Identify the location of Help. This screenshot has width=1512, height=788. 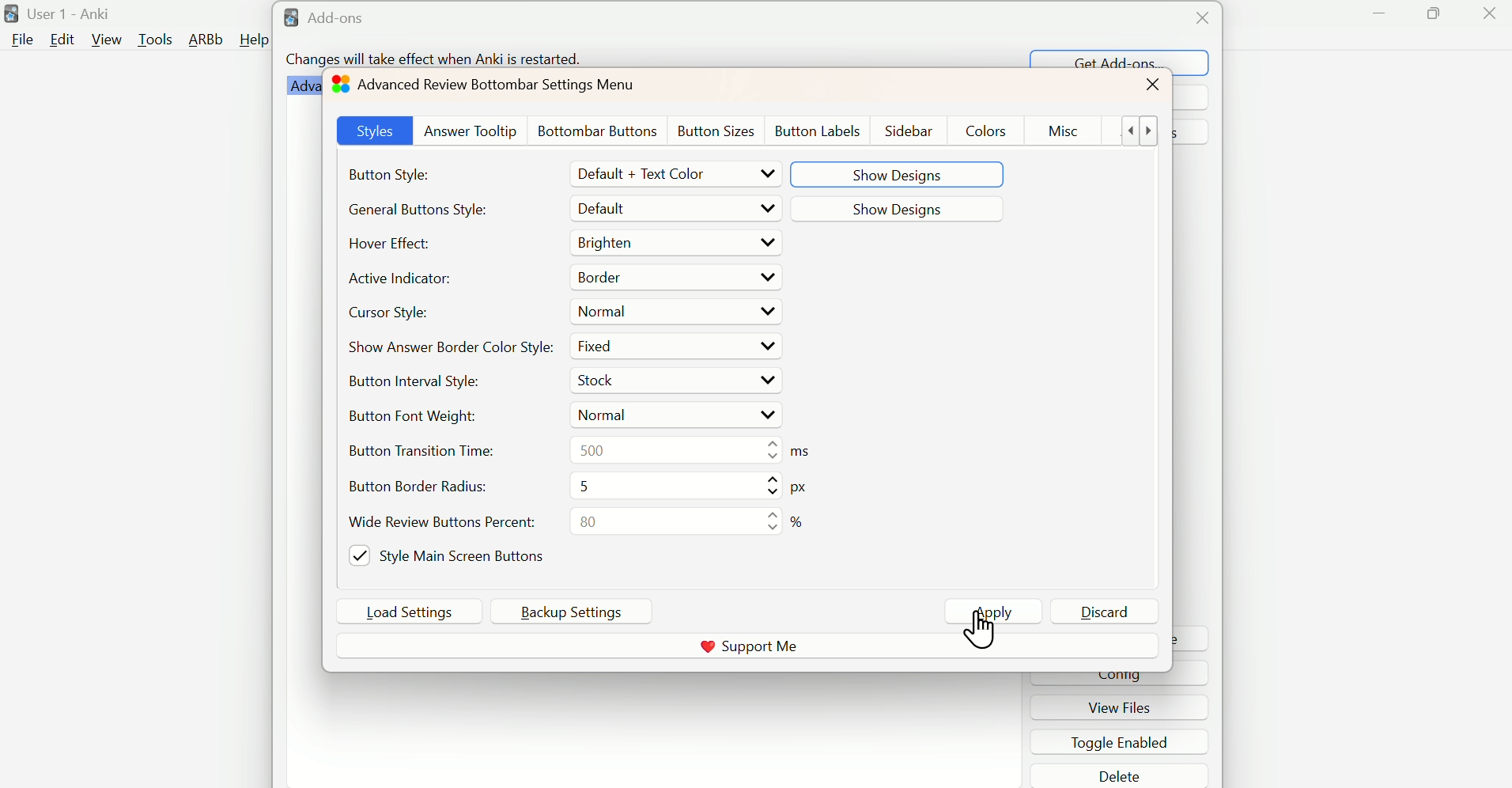
(255, 40).